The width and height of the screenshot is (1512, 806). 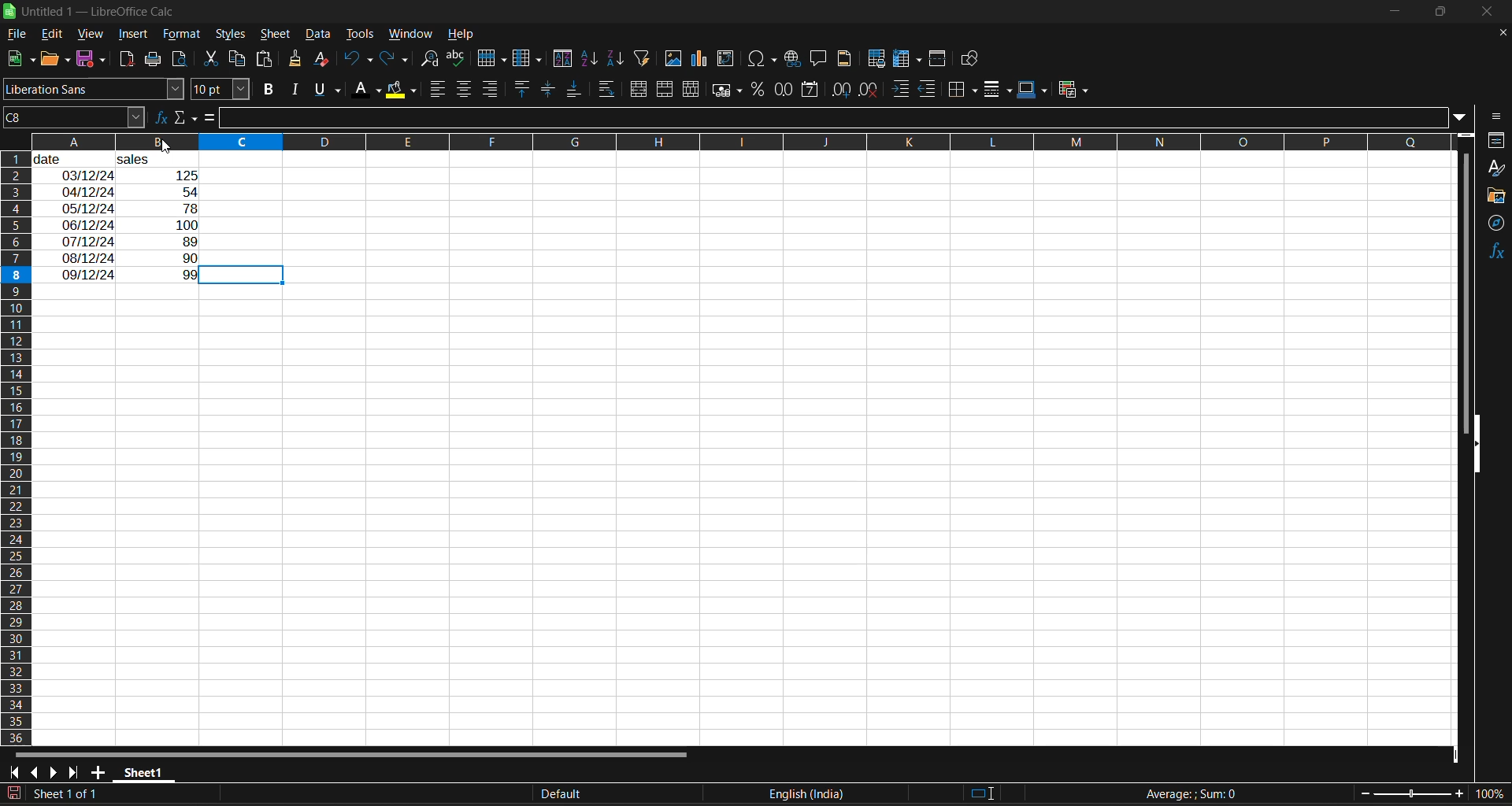 I want to click on save, so click(x=93, y=60).